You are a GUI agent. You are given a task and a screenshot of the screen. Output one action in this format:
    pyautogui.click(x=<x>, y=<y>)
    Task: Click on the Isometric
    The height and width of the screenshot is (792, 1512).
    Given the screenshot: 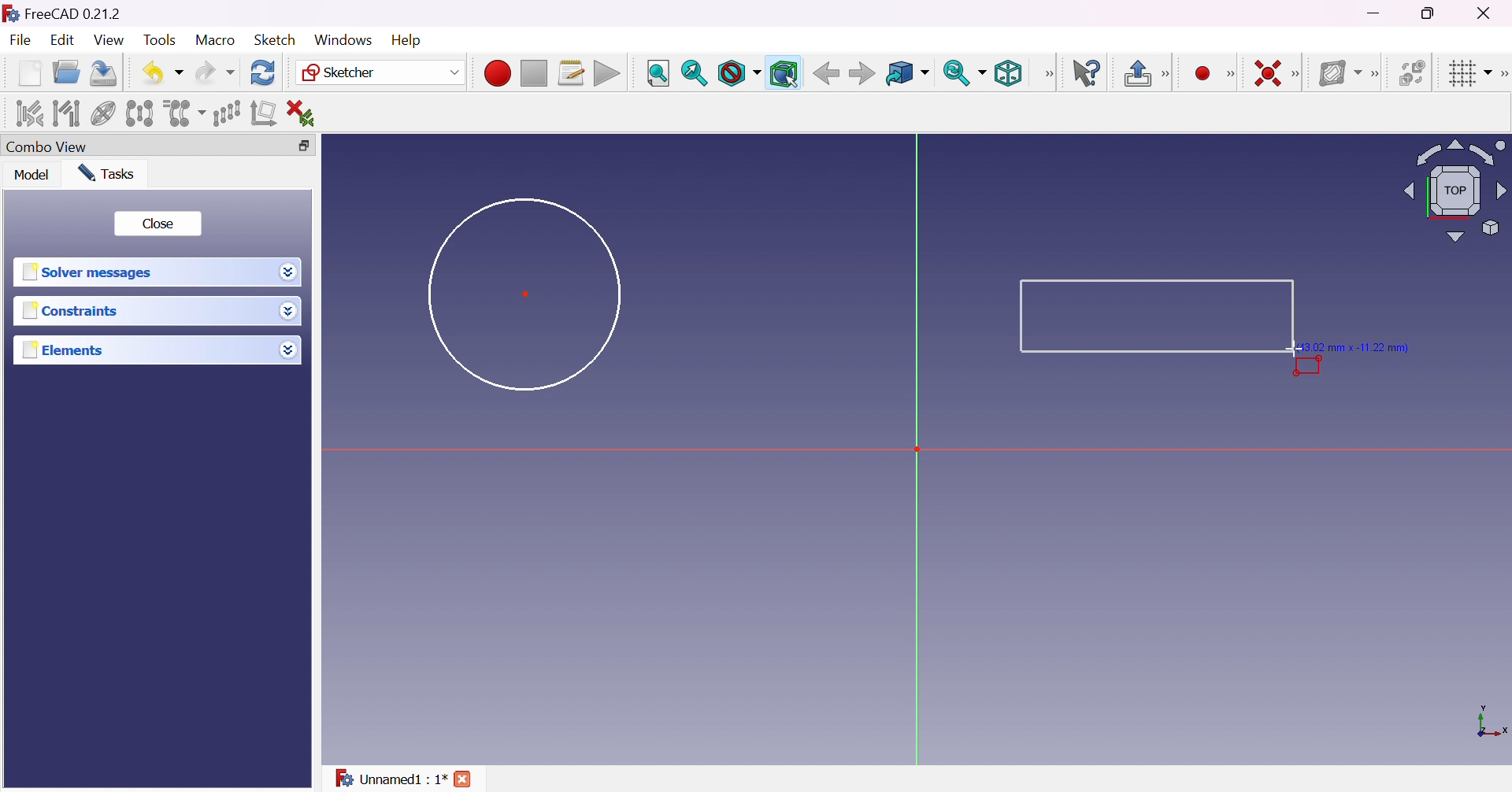 What is the action you would take?
    pyautogui.click(x=1007, y=75)
    